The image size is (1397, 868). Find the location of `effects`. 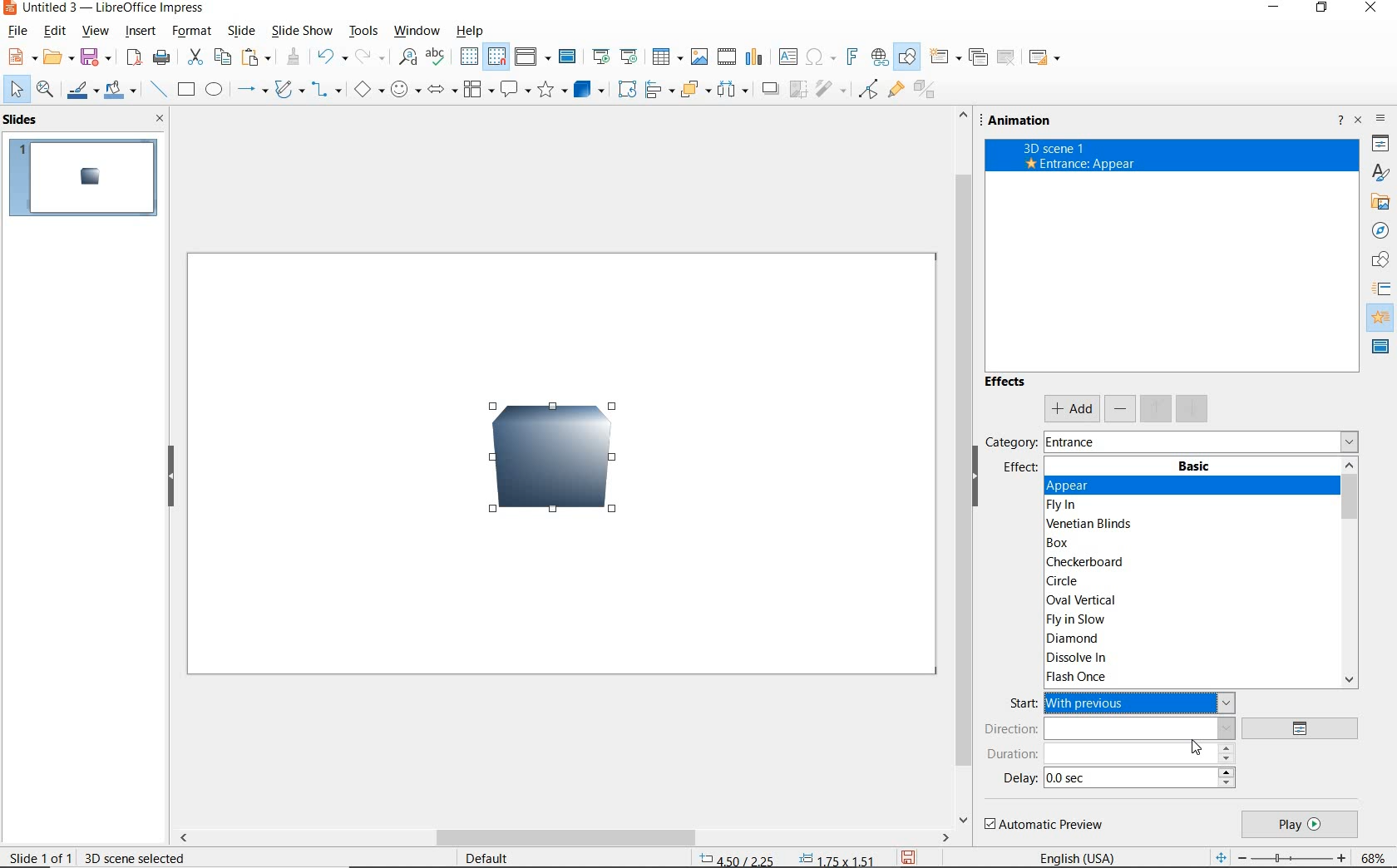

effects is located at coordinates (1007, 385).